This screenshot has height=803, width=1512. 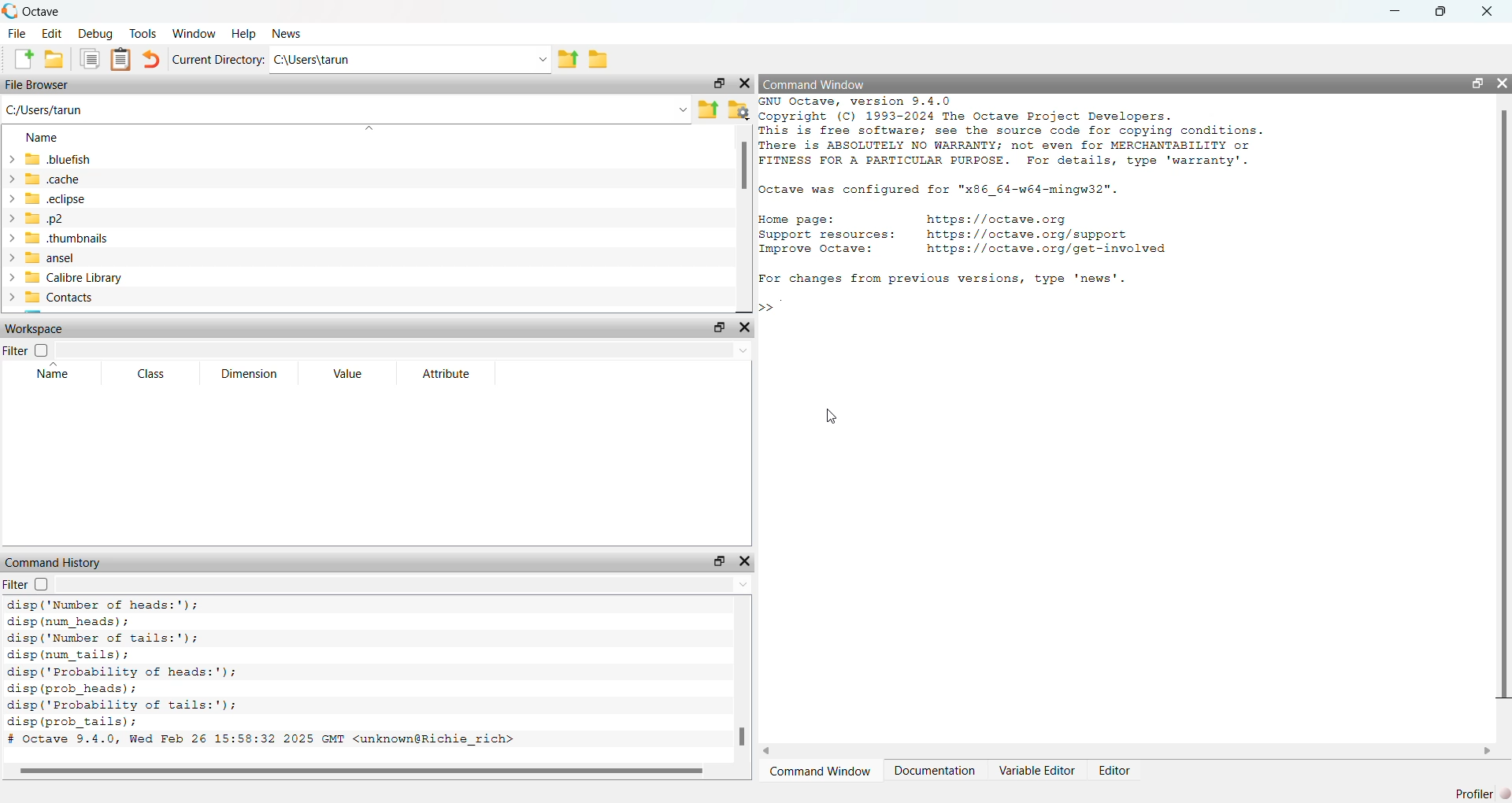 What do you see at coordinates (96, 33) in the screenshot?
I see `Debug` at bounding box center [96, 33].